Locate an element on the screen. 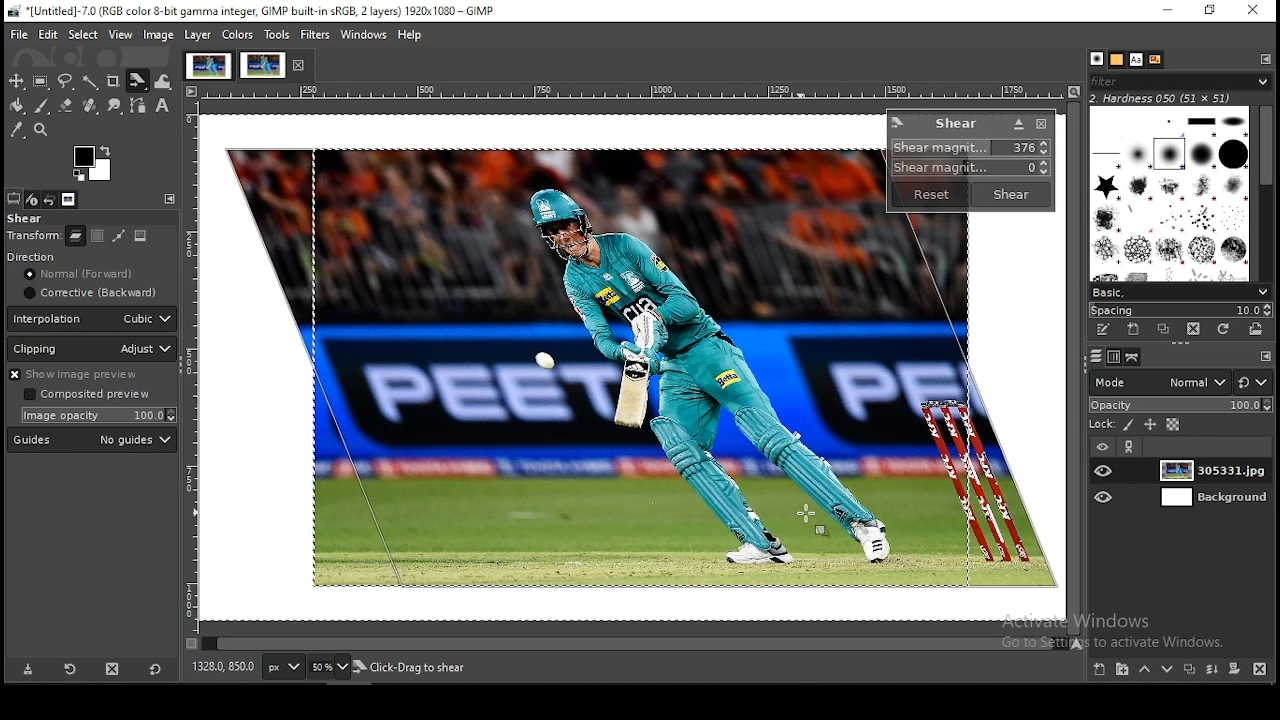 The height and width of the screenshot is (720, 1280). layer is located at coordinates (1210, 471).